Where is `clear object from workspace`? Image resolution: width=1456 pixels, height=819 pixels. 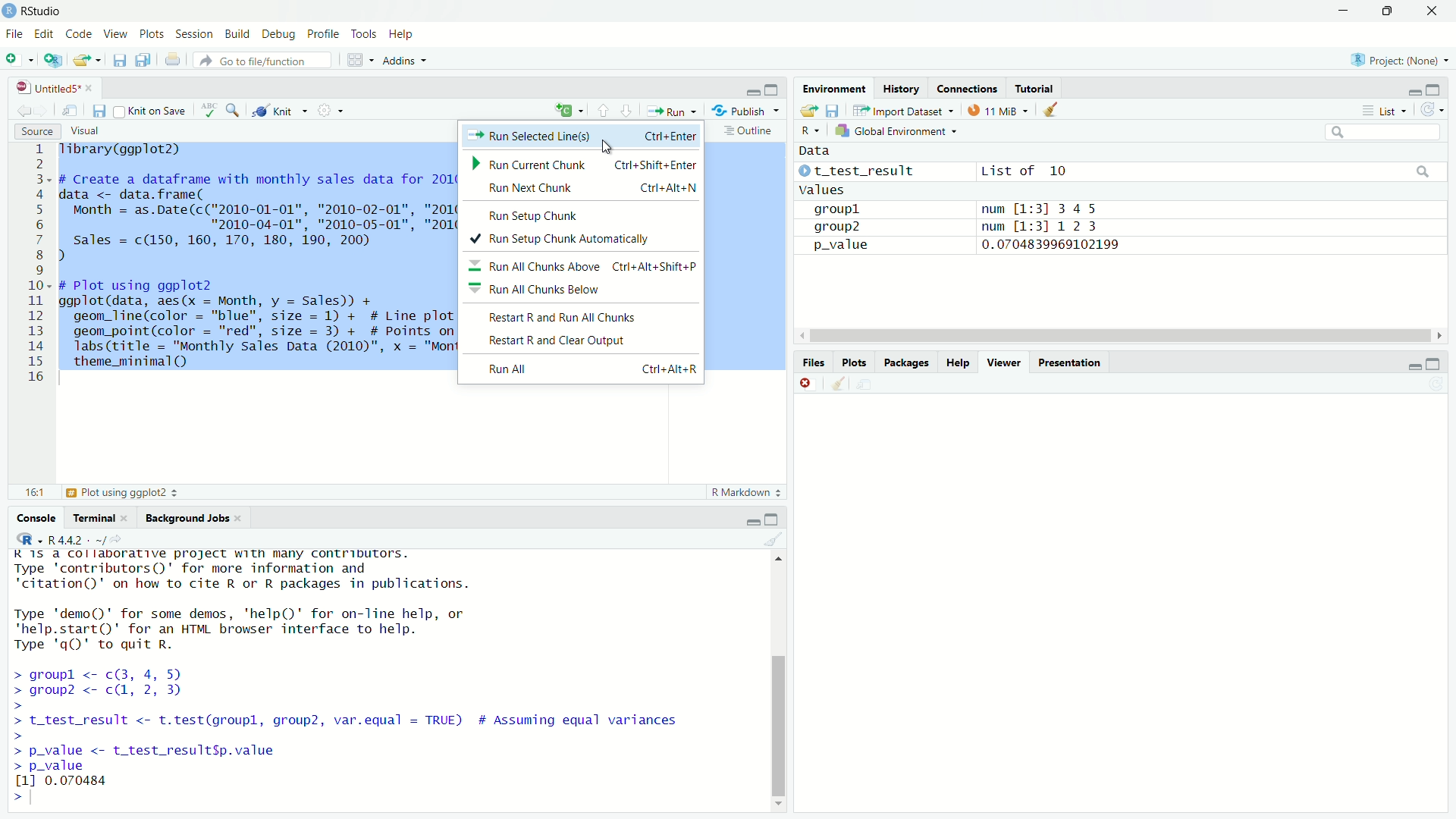
clear object from workspace is located at coordinates (1054, 108).